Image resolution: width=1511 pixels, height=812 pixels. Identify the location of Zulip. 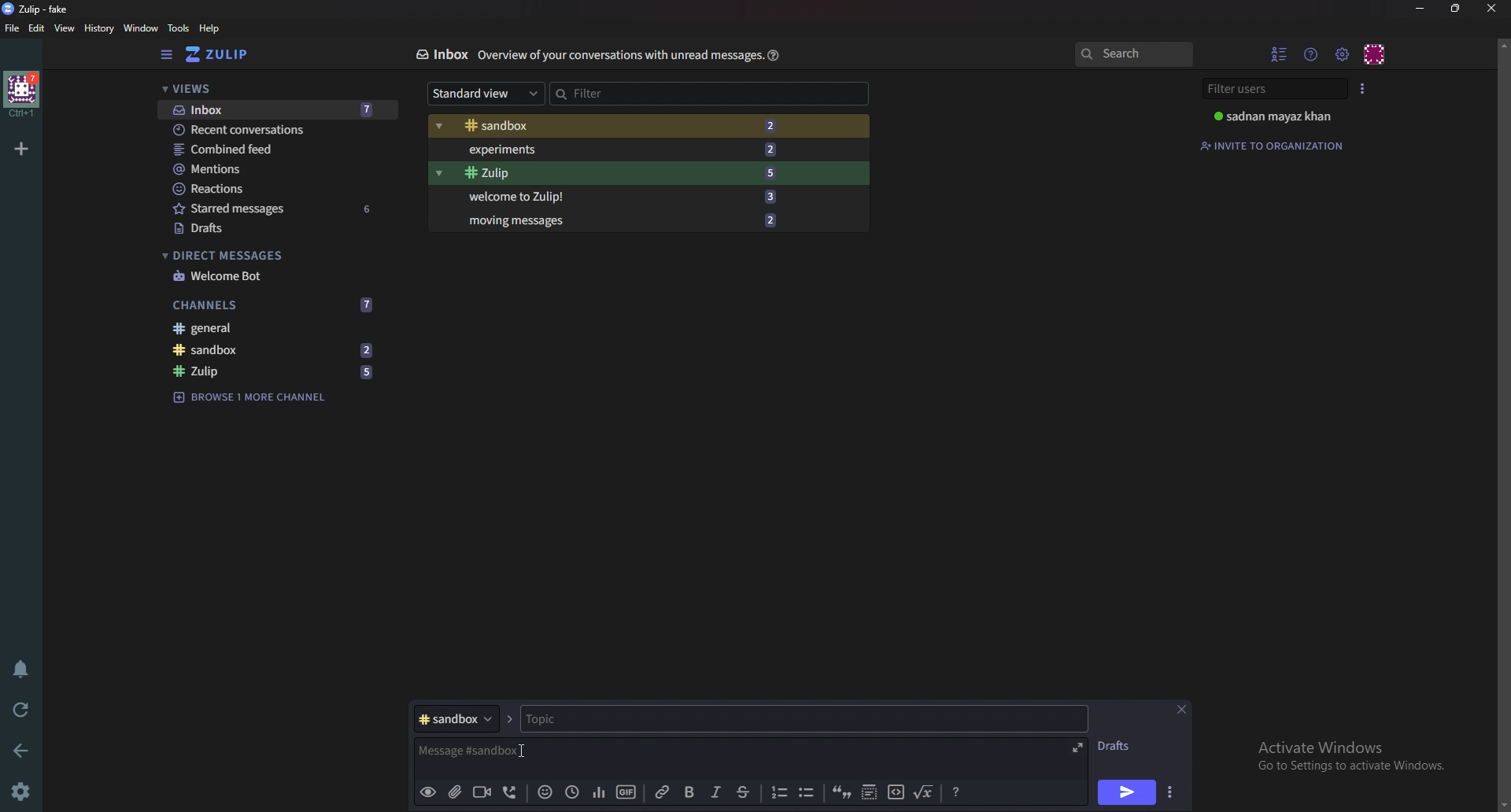
(616, 173).